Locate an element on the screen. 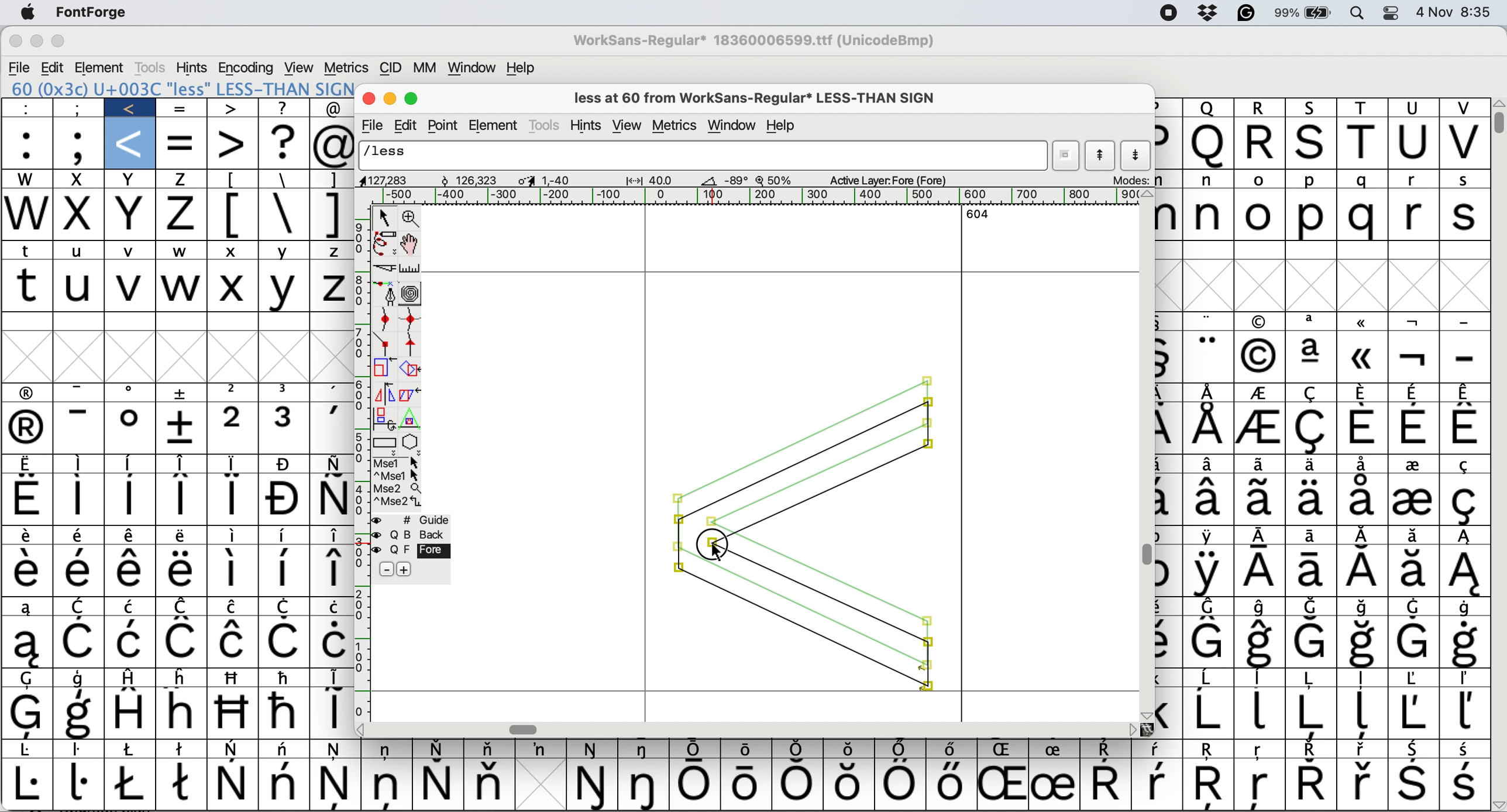 This screenshot has height=812, width=1507. Symbol is located at coordinates (287, 749).